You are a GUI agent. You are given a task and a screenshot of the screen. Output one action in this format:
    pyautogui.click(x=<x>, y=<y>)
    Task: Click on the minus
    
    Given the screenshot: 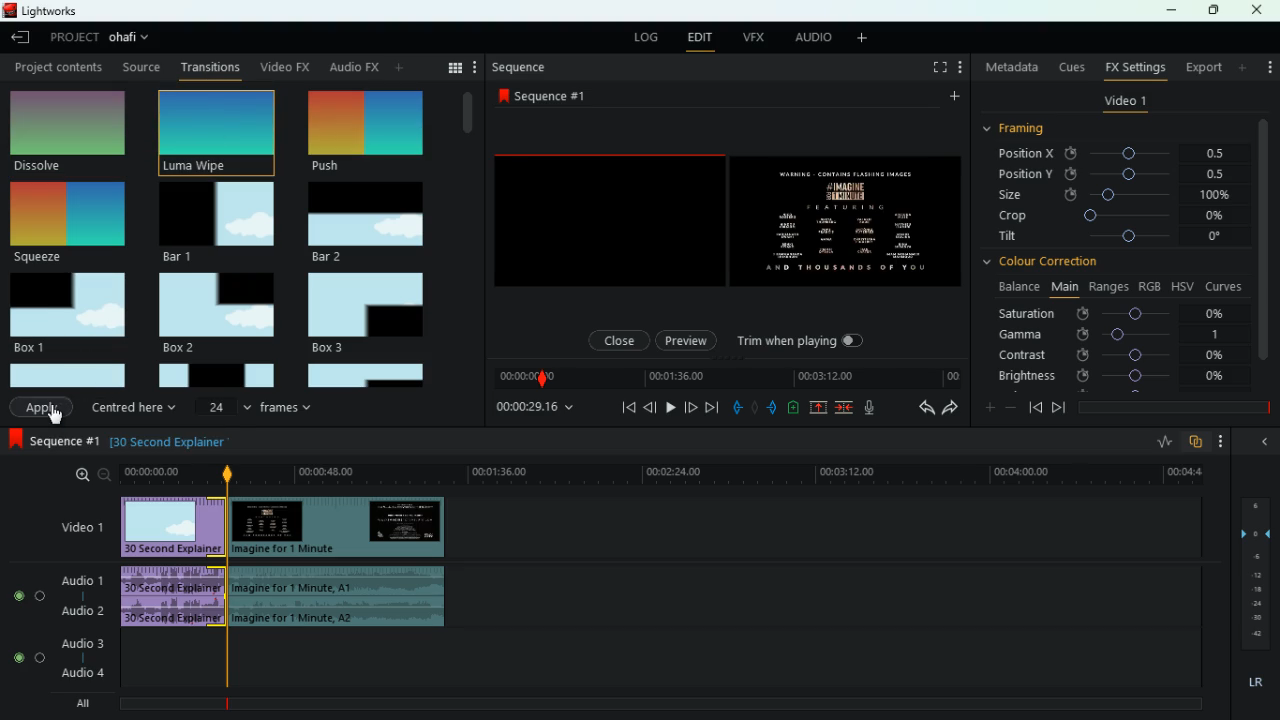 What is the action you would take?
    pyautogui.click(x=1014, y=408)
    